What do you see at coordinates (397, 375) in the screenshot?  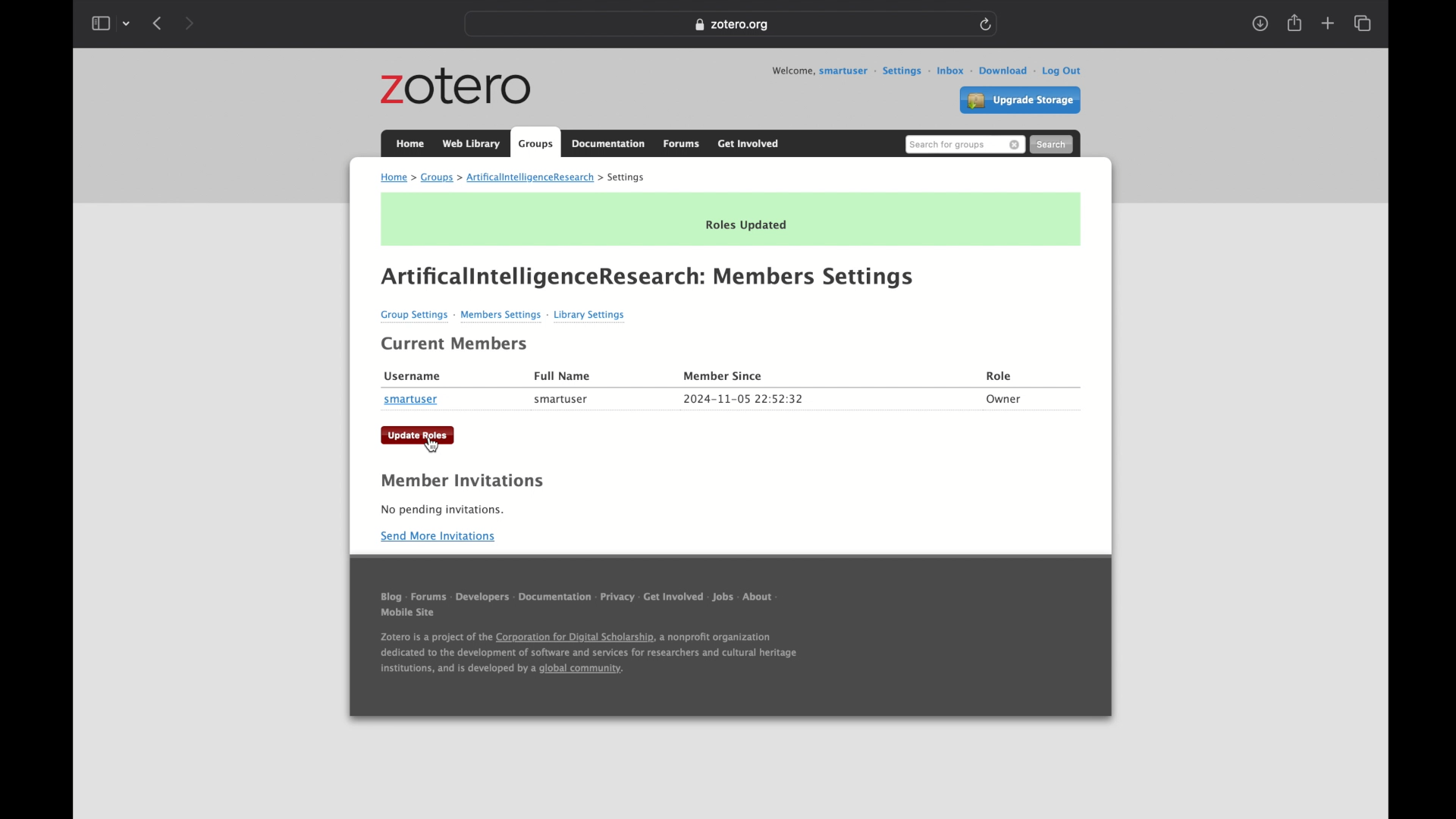 I see `| Username` at bounding box center [397, 375].